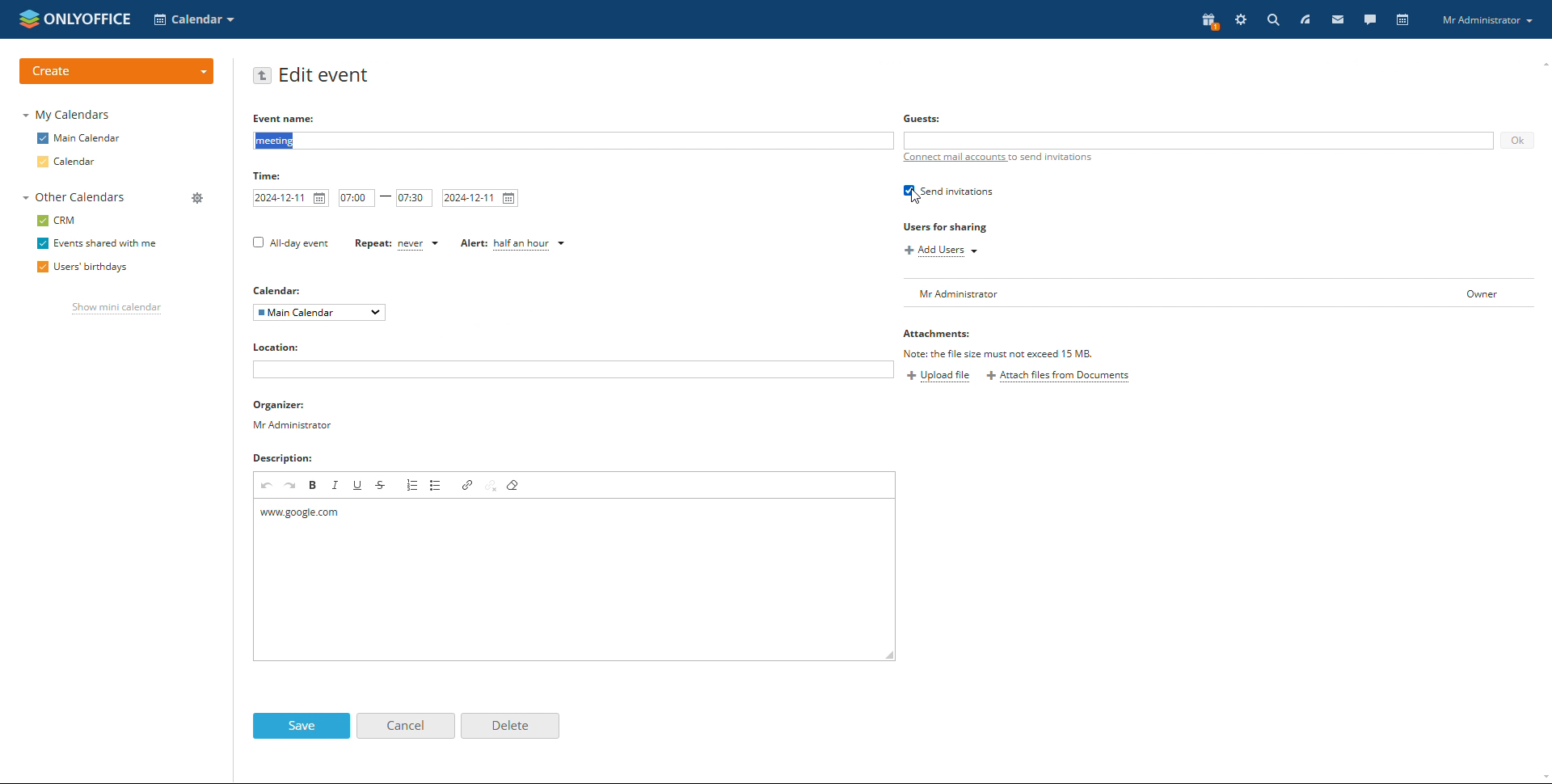 The width and height of the screenshot is (1552, 784). I want to click on main calendar, so click(79, 138).